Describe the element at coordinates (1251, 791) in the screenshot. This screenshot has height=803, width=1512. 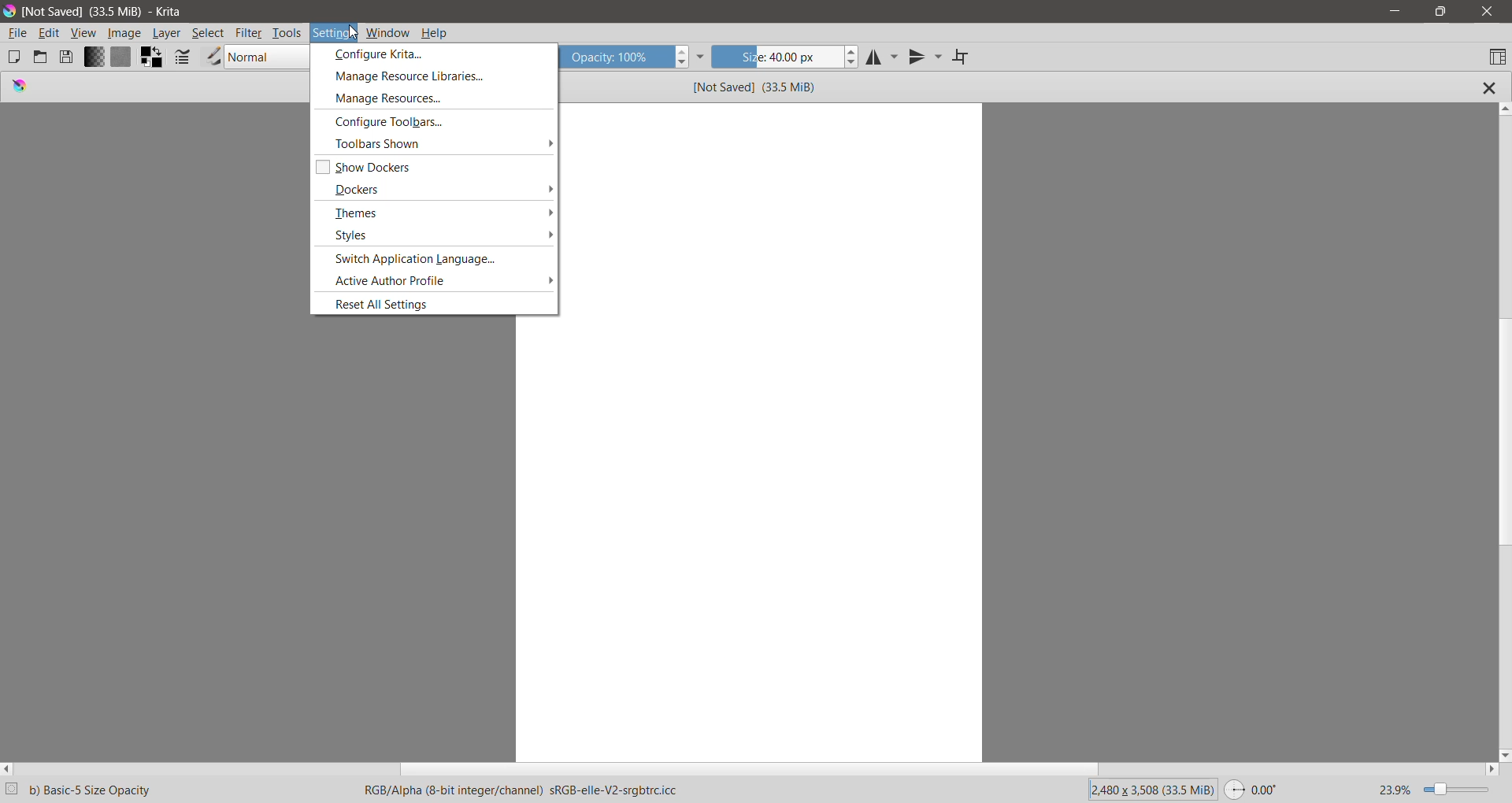
I see `Swap Used` at that location.